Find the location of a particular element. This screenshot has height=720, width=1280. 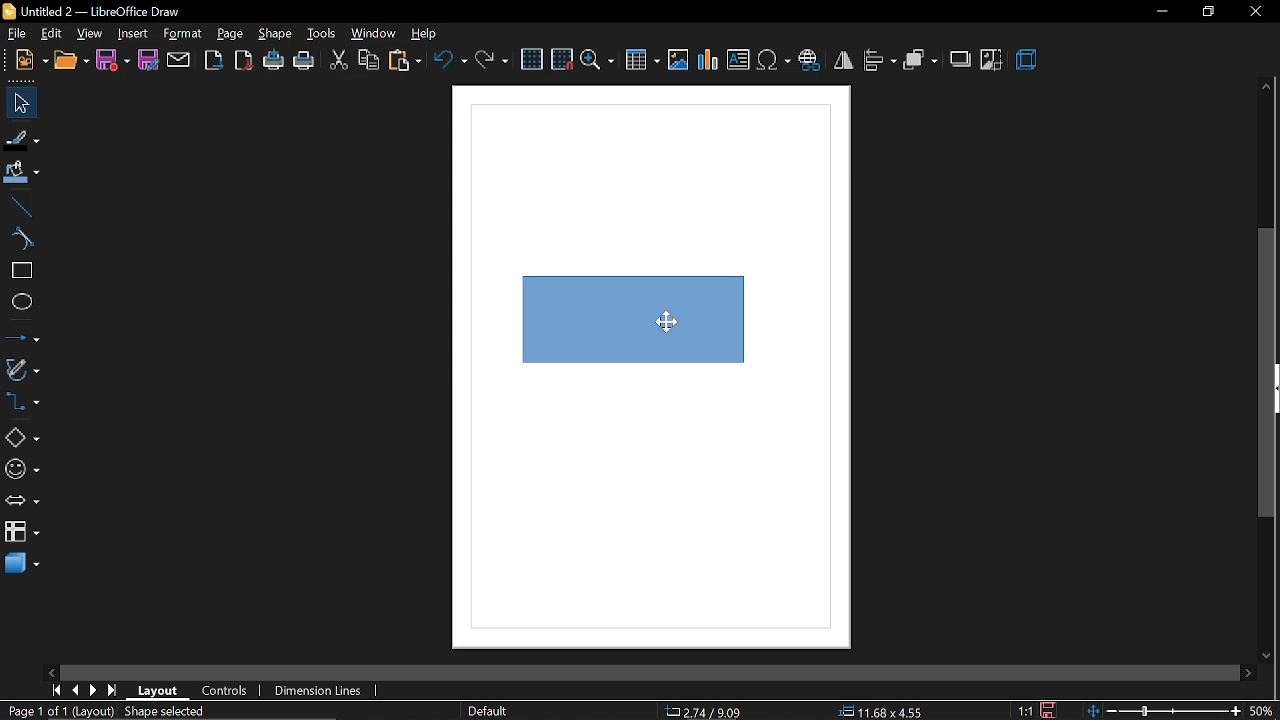

next page is located at coordinates (94, 692).